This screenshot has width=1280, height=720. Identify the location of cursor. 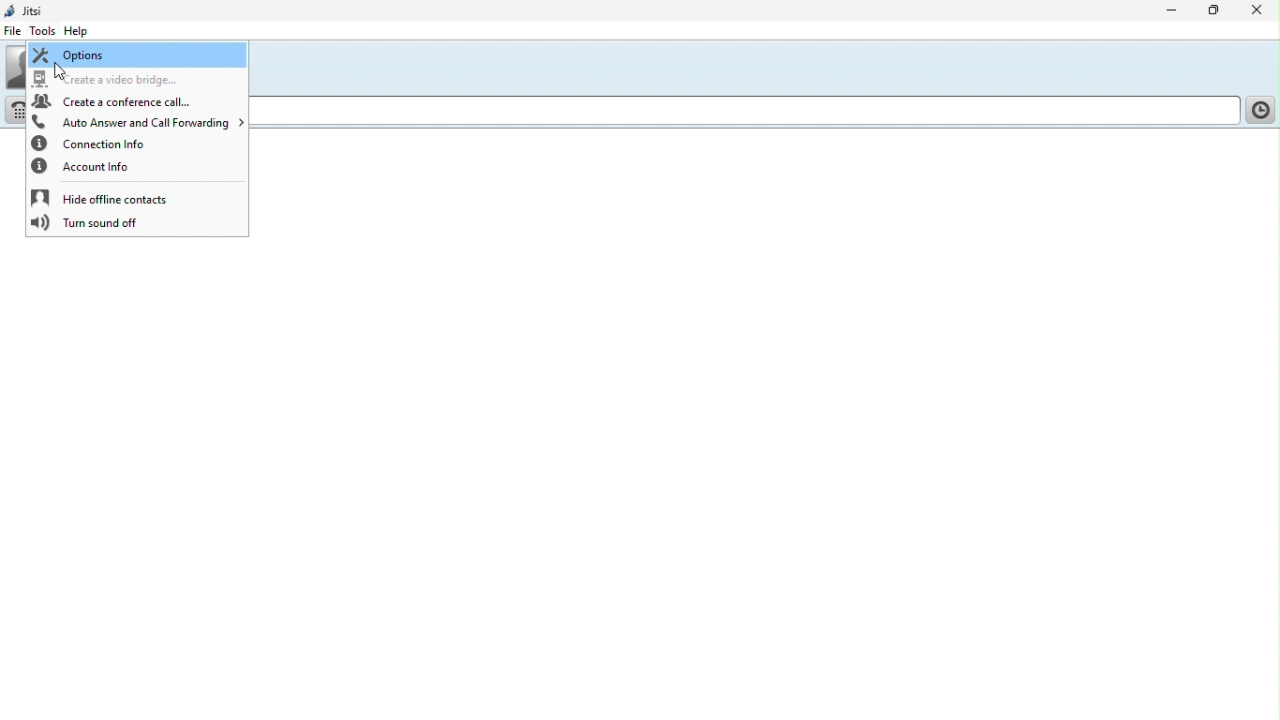
(62, 74).